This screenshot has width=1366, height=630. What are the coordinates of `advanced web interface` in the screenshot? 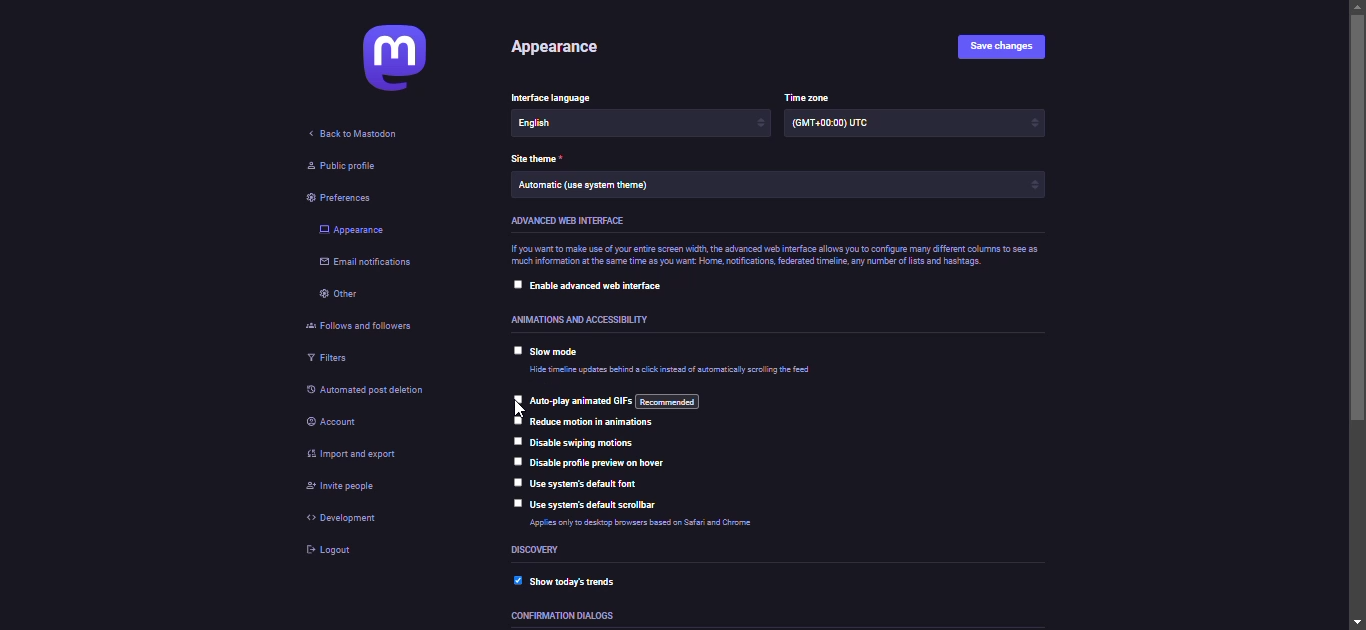 It's located at (570, 222).